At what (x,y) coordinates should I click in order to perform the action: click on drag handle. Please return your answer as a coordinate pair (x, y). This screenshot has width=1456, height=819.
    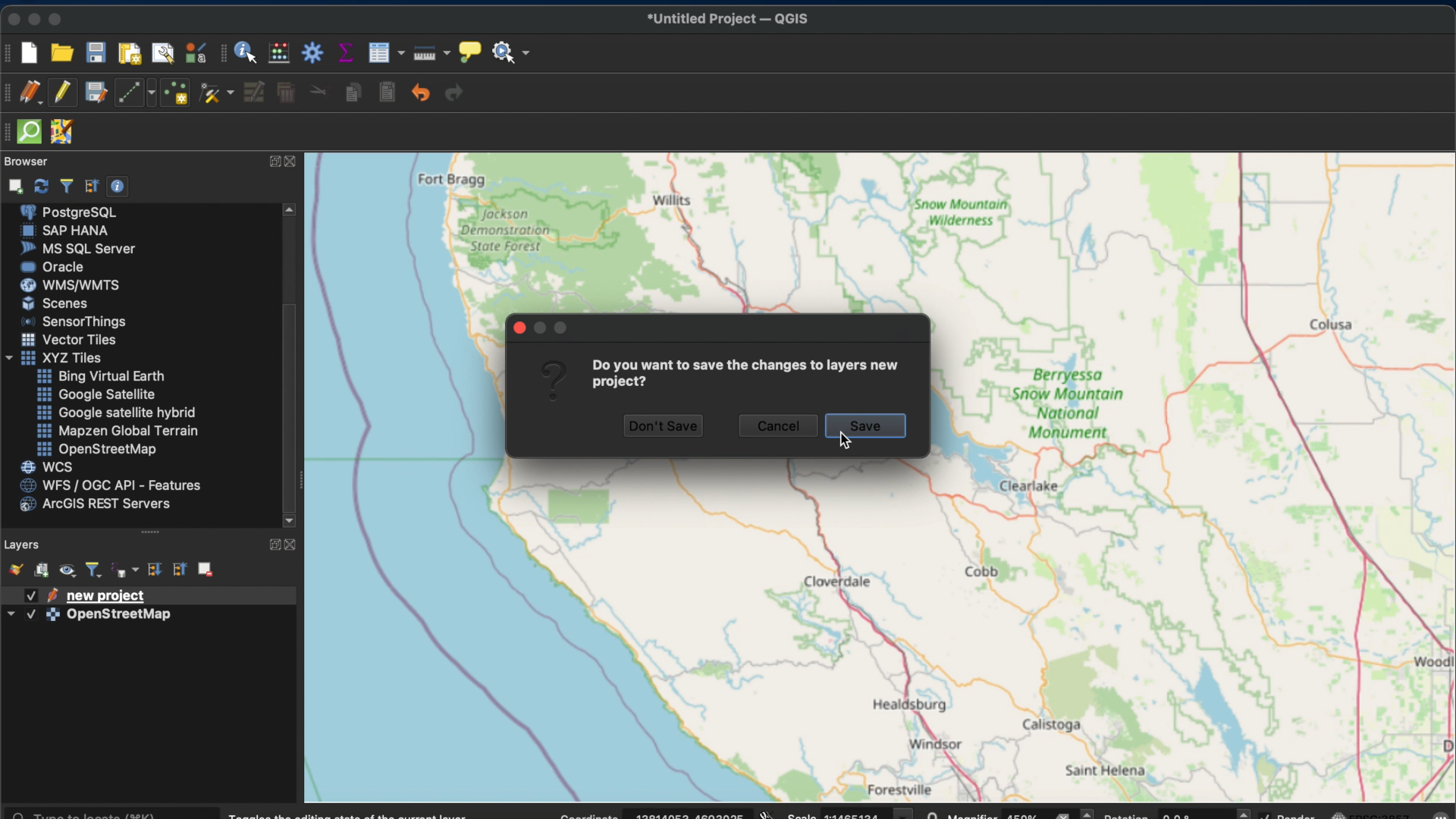
    Looking at the image, I should click on (154, 533).